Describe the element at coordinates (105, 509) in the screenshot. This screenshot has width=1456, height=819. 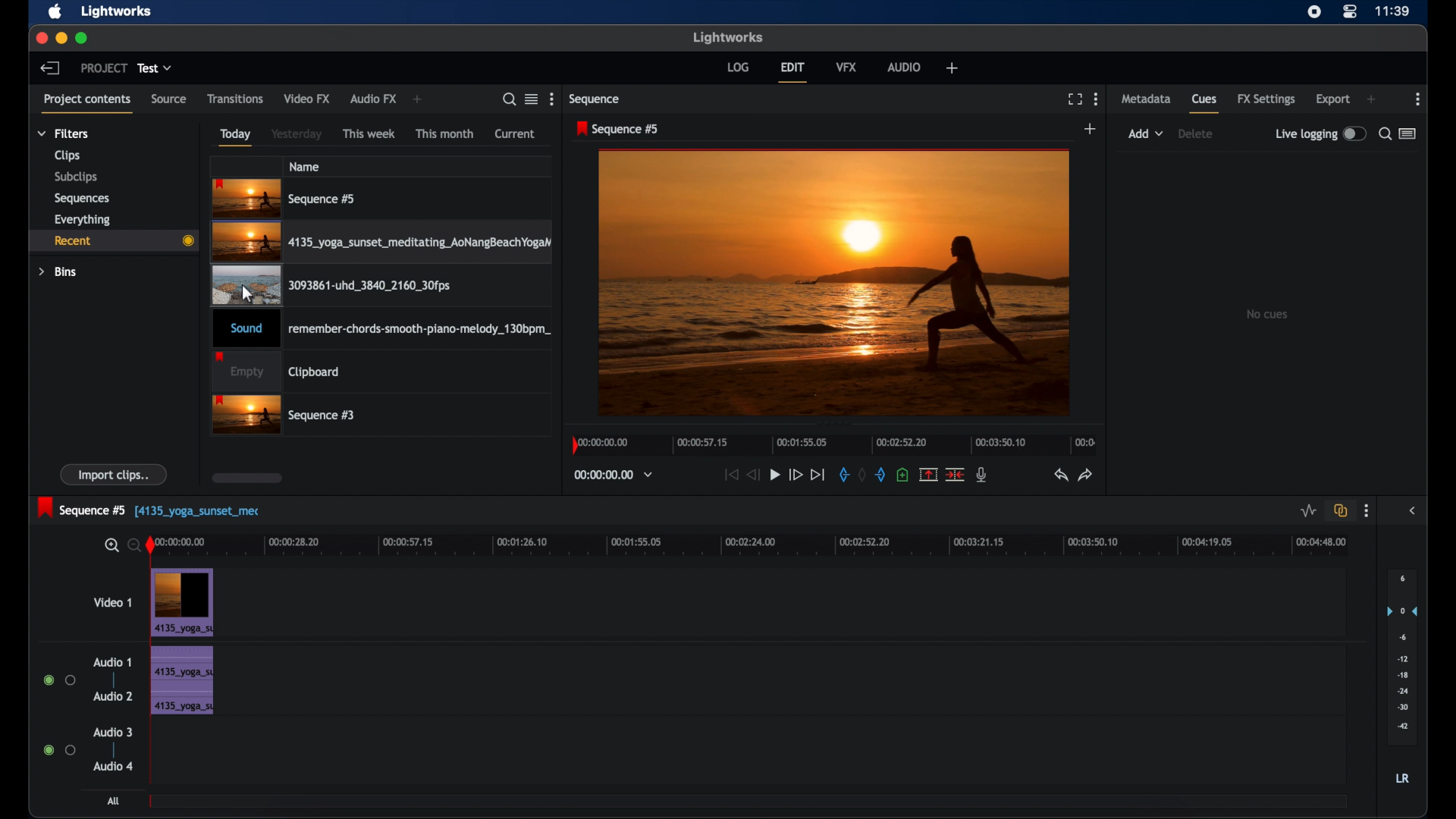
I see `sequence 5` at that location.